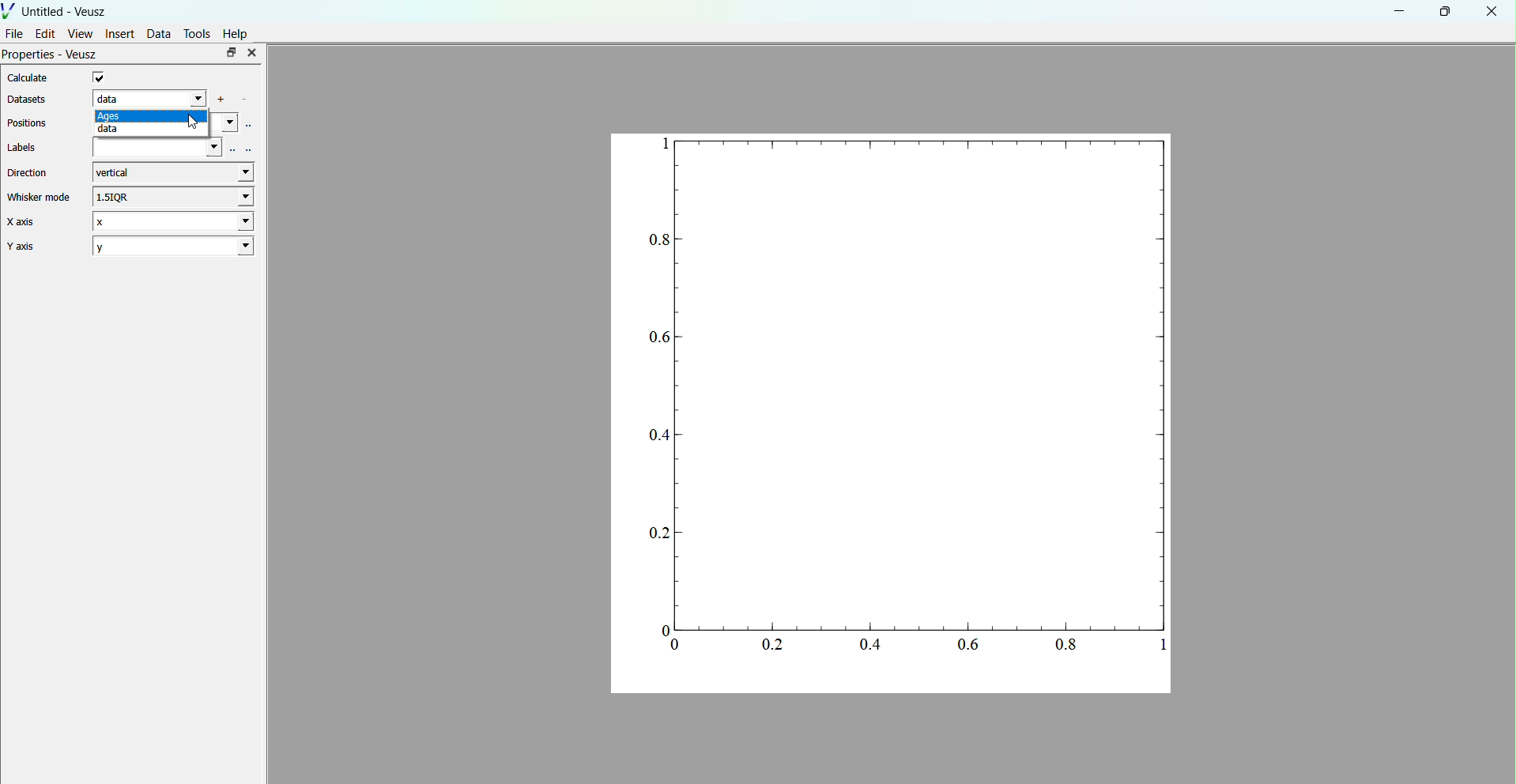 The width and height of the screenshot is (1516, 784). What do you see at coordinates (1491, 13) in the screenshot?
I see `close` at bounding box center [1491, 13].